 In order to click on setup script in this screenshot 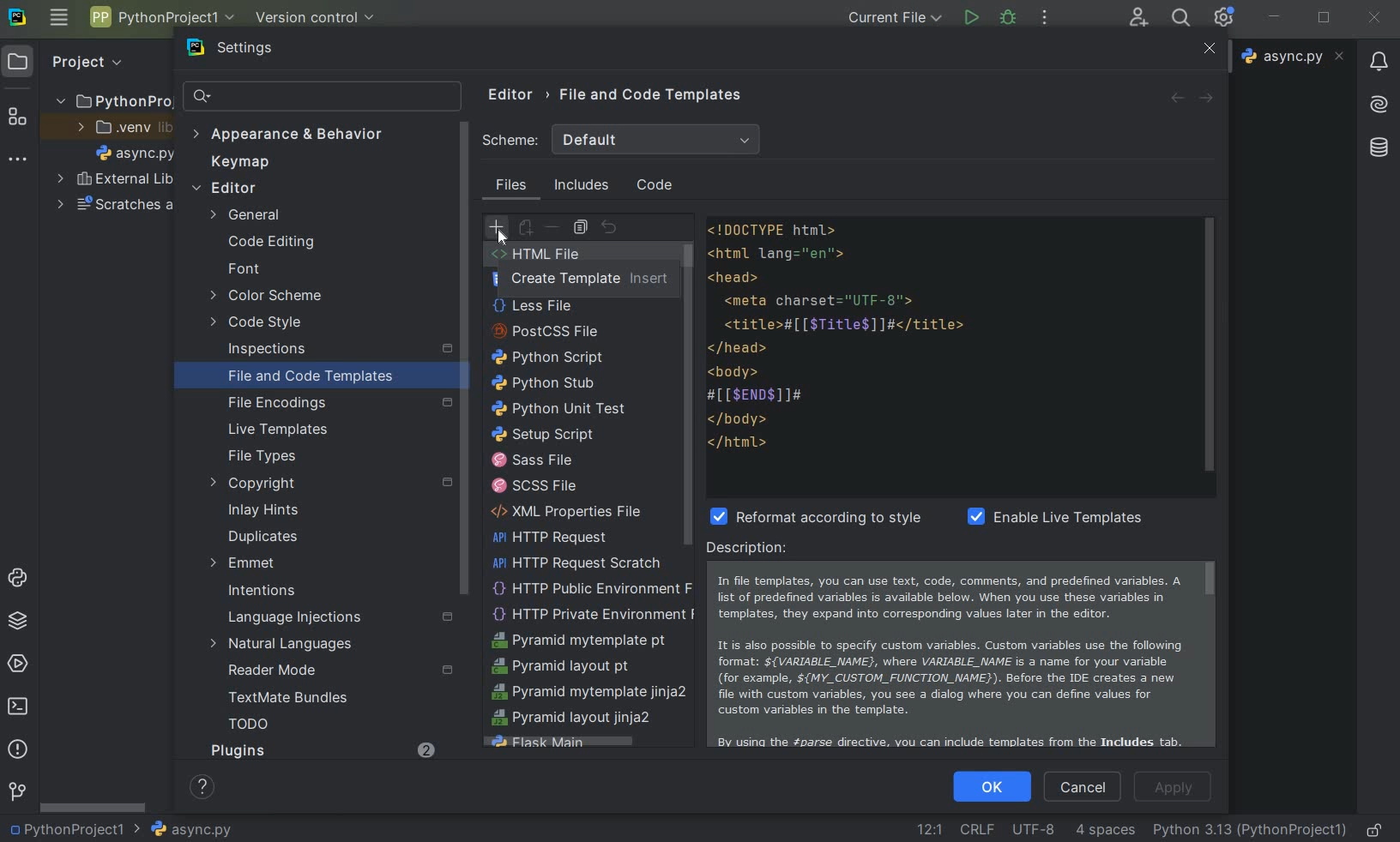, I will do `click(543, 435)`.